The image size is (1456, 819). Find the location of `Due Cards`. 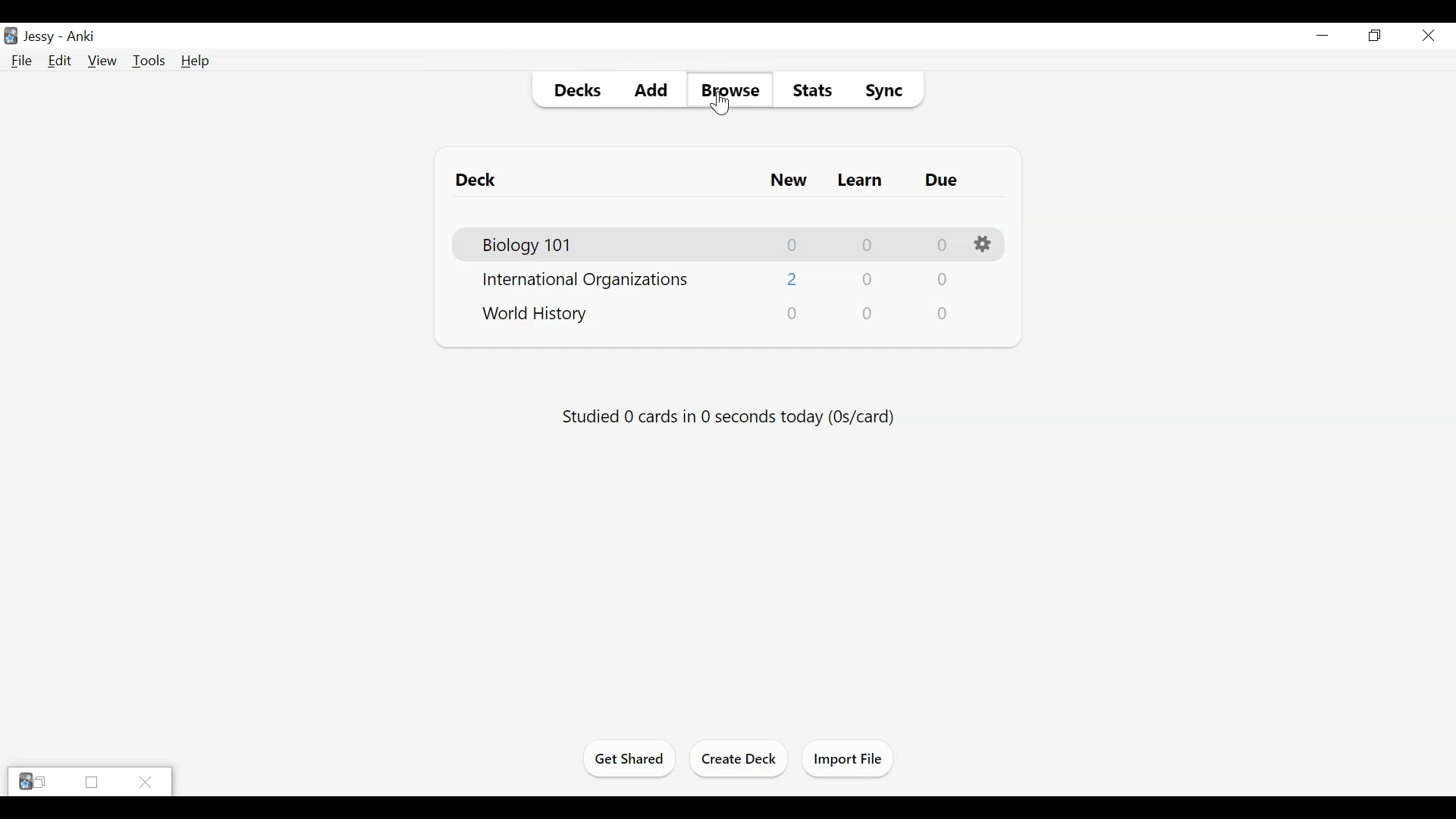

Due Cards is located at coordinates (940, 180).